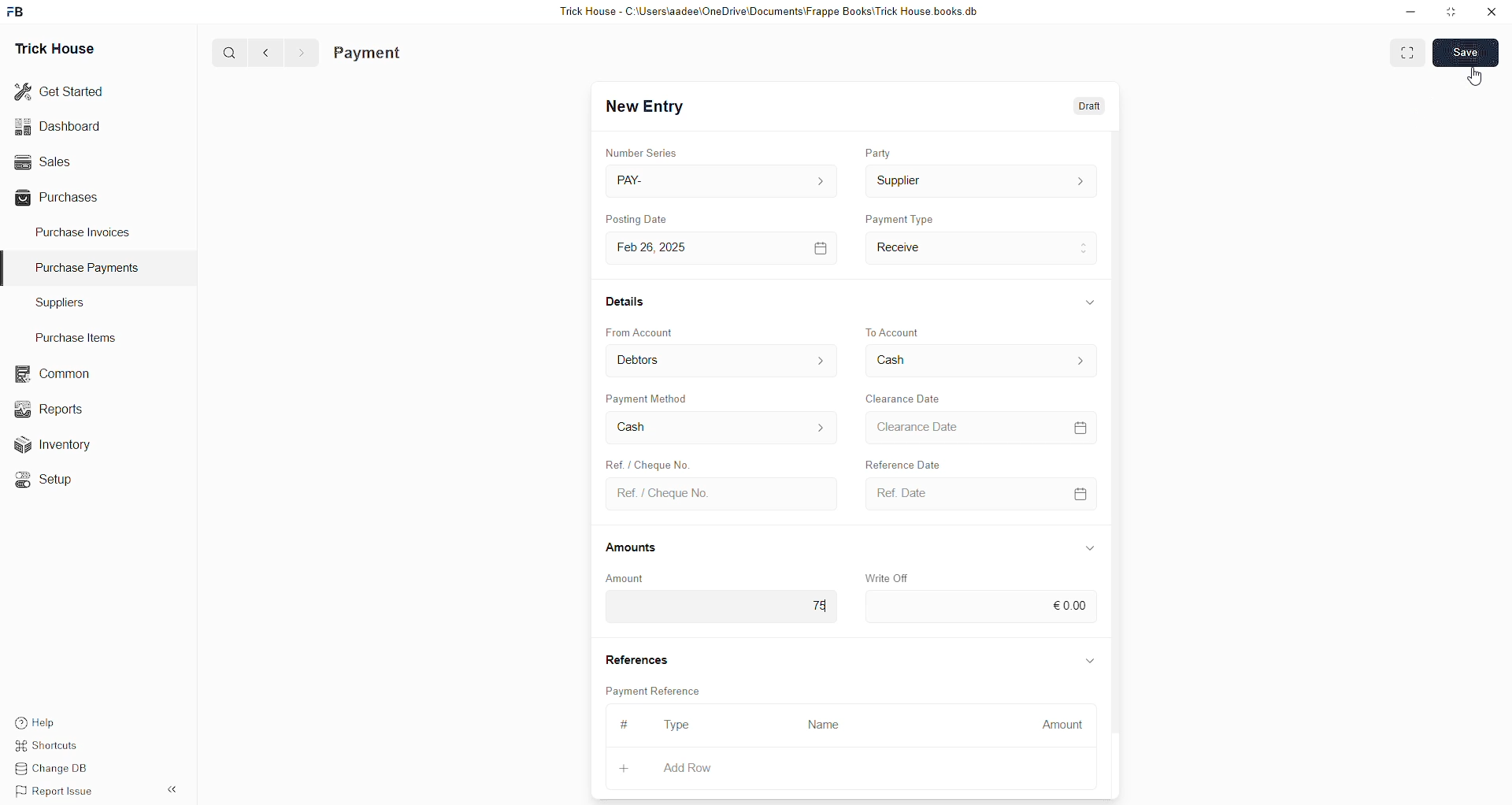 This screenshot has height=805, width=1512. Describe the element at coordinates (978, 362) in the screenshot. I see `To Account ` at that location.